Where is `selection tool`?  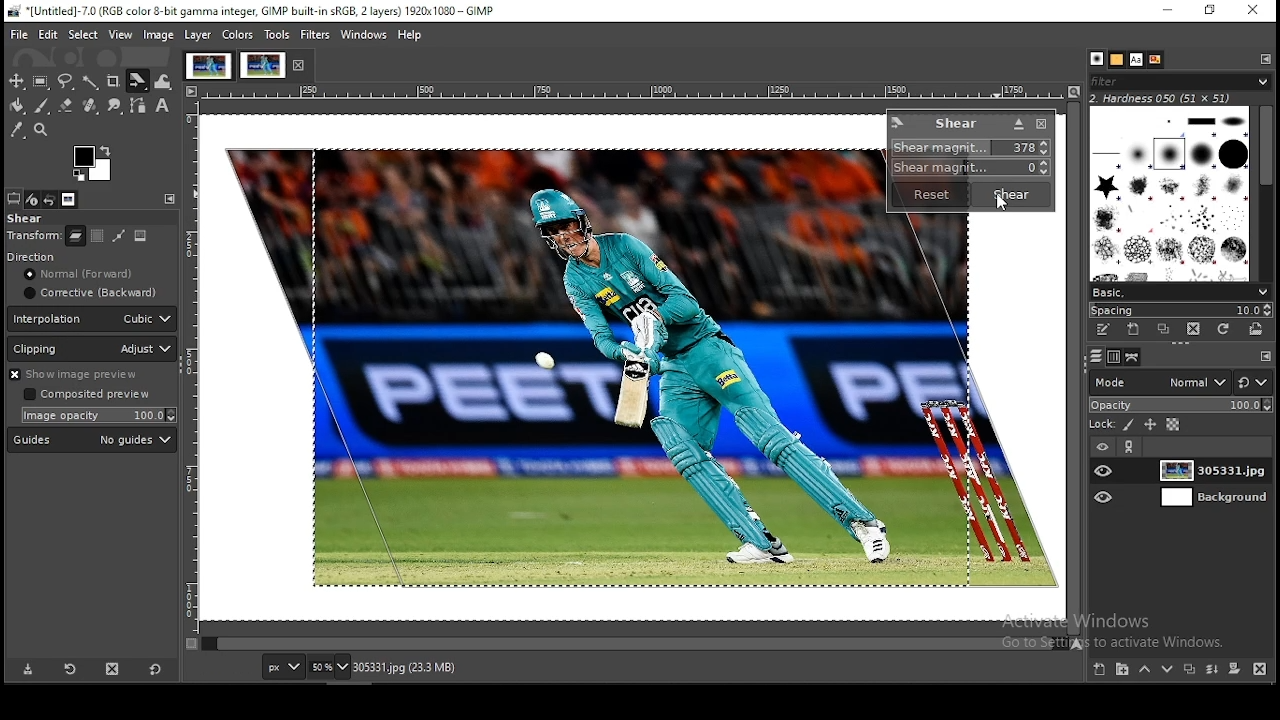 selection tool is located at coordinates (18, 80).